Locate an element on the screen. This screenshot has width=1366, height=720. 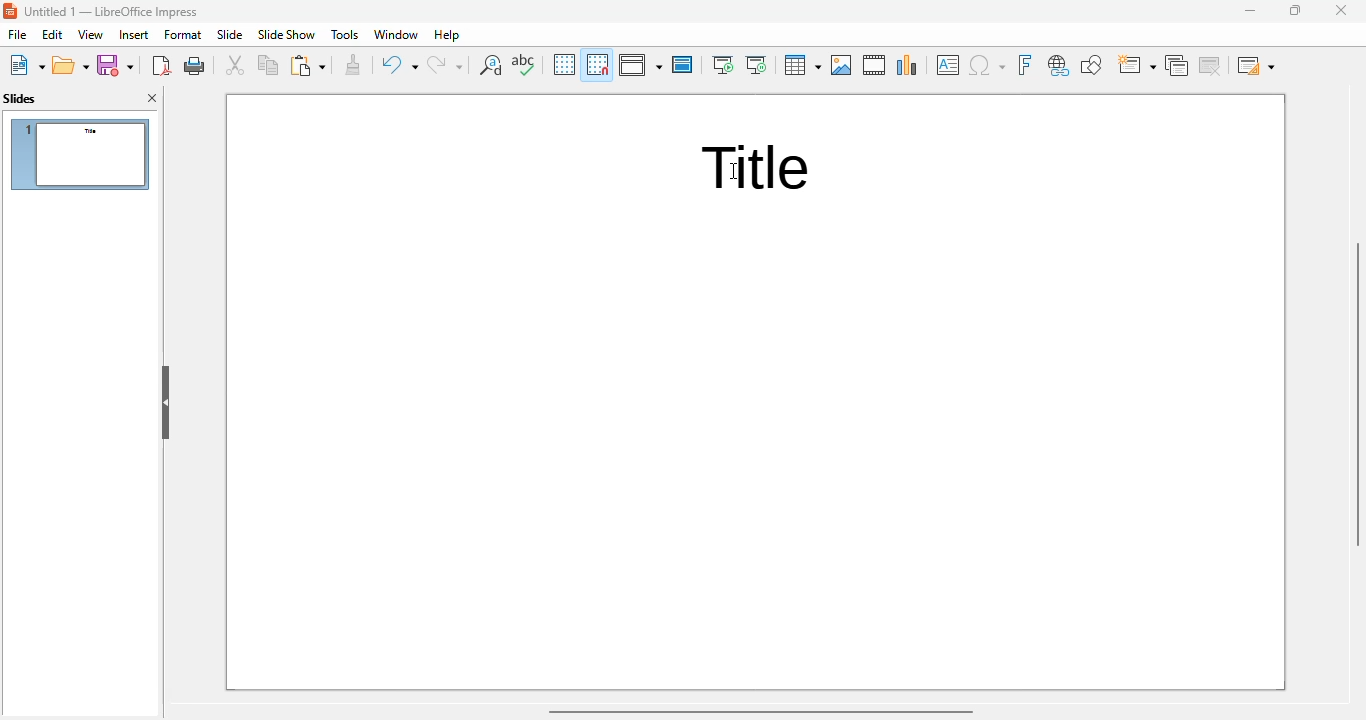
window is located at coordinates (397, 35).